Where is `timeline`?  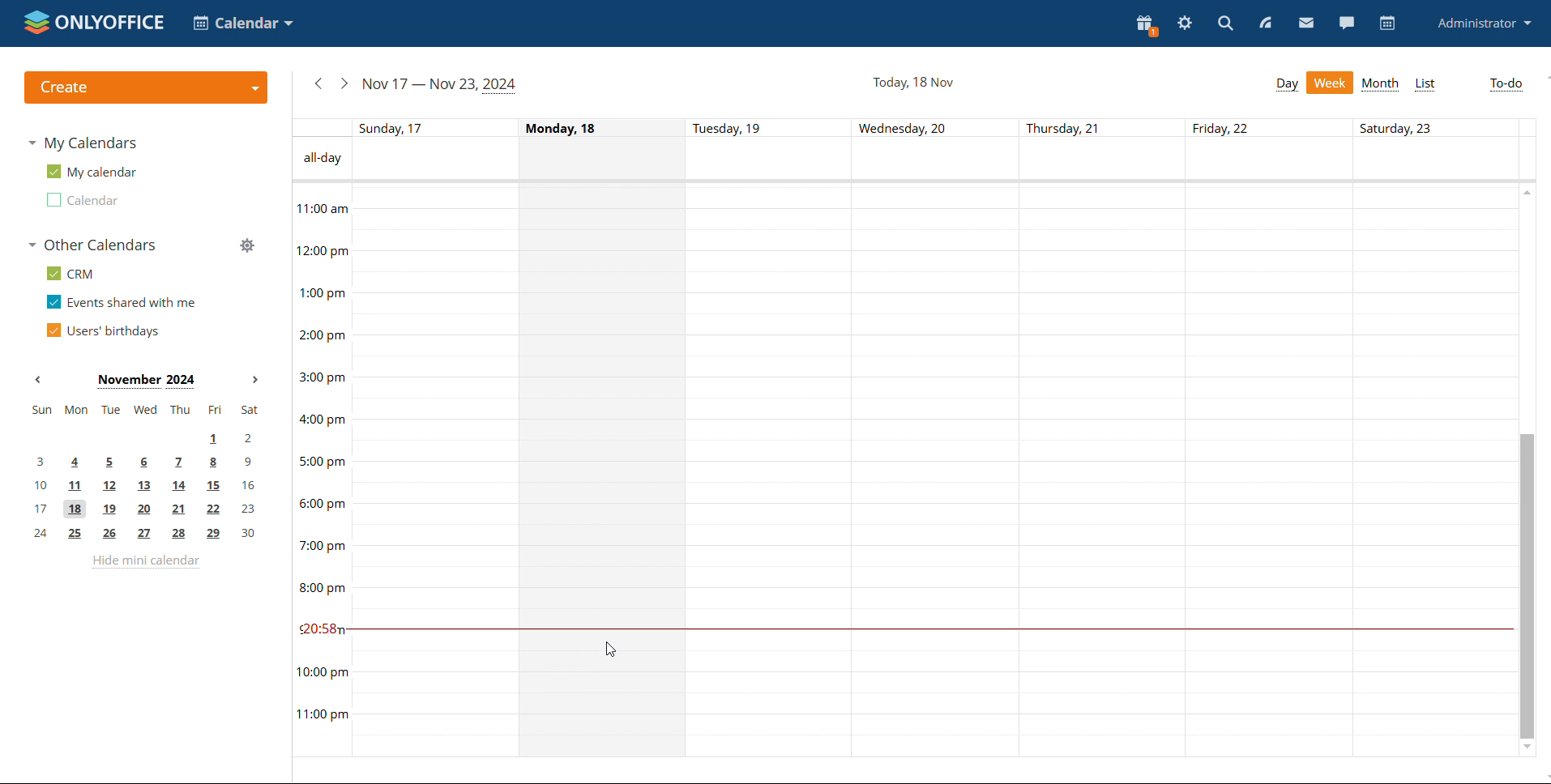 timeline is located at coordinates (321, 470).